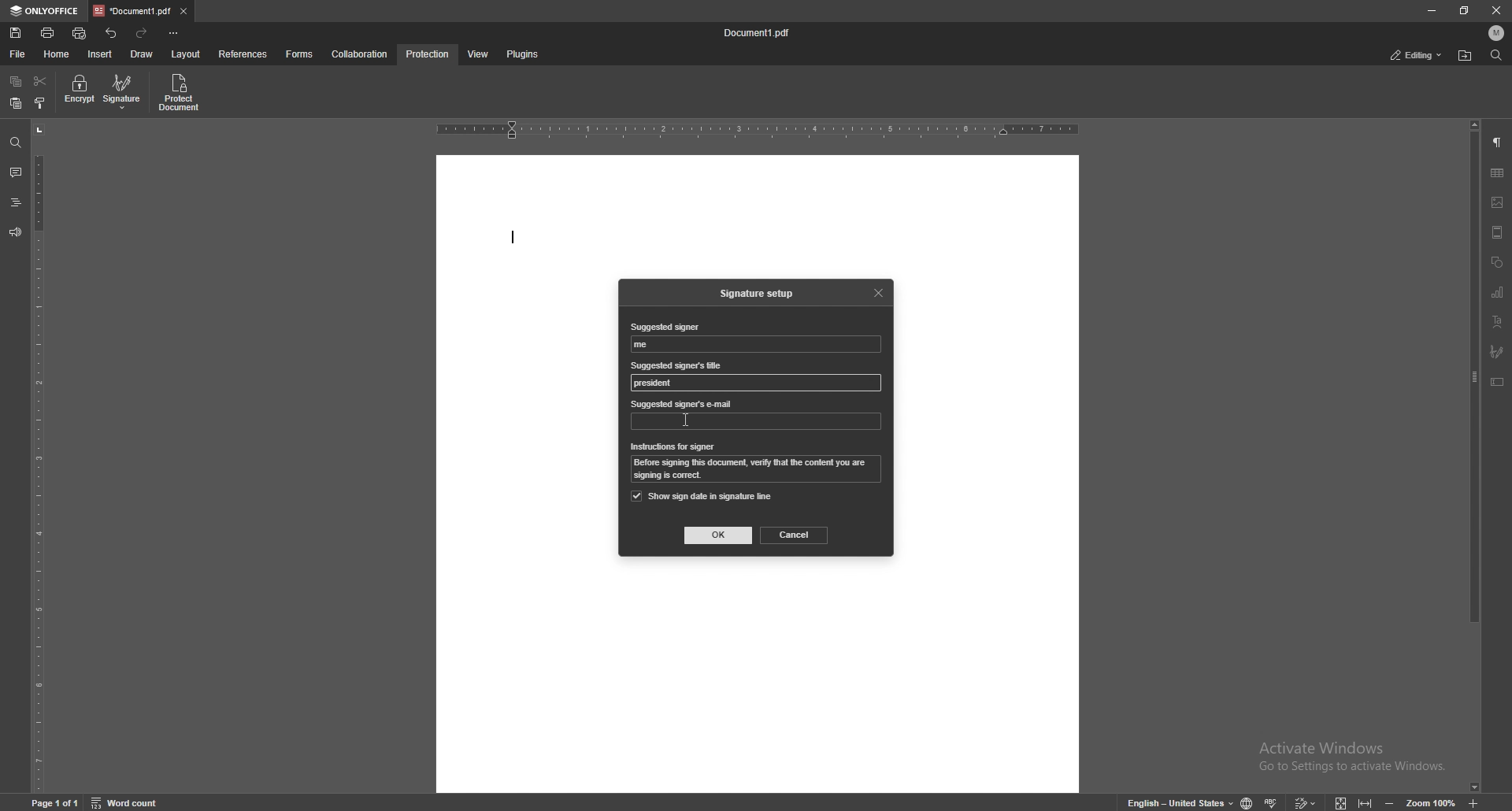  What do you see at coordinates (1496, 56) in the screenshot?
I see `find` at bounding box center [1496, 56].